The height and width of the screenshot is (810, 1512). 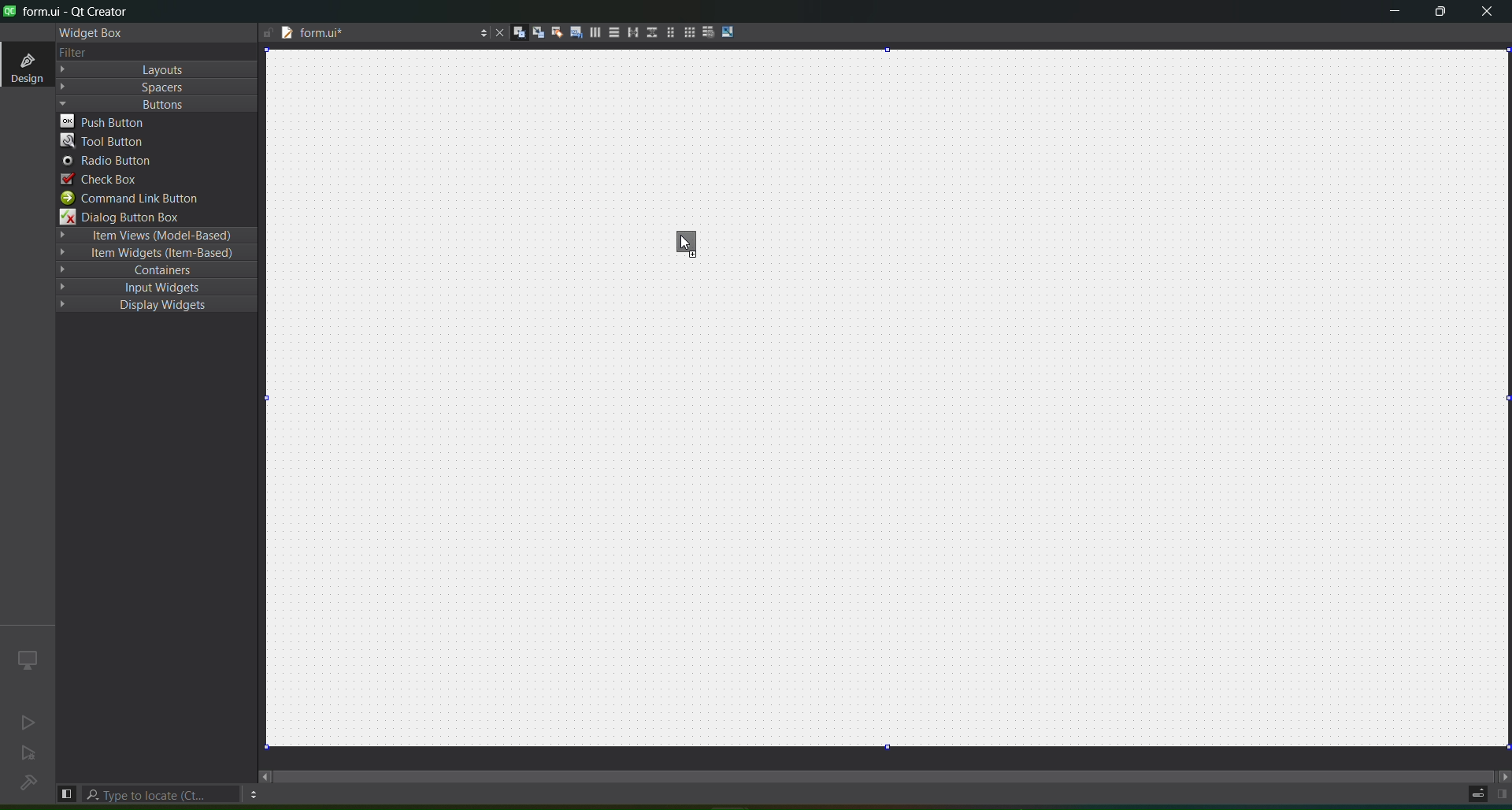 What do you see at coordinates (882, 774) in the screenshot?
I see `scroll bar` at bounding box center [882, 774].